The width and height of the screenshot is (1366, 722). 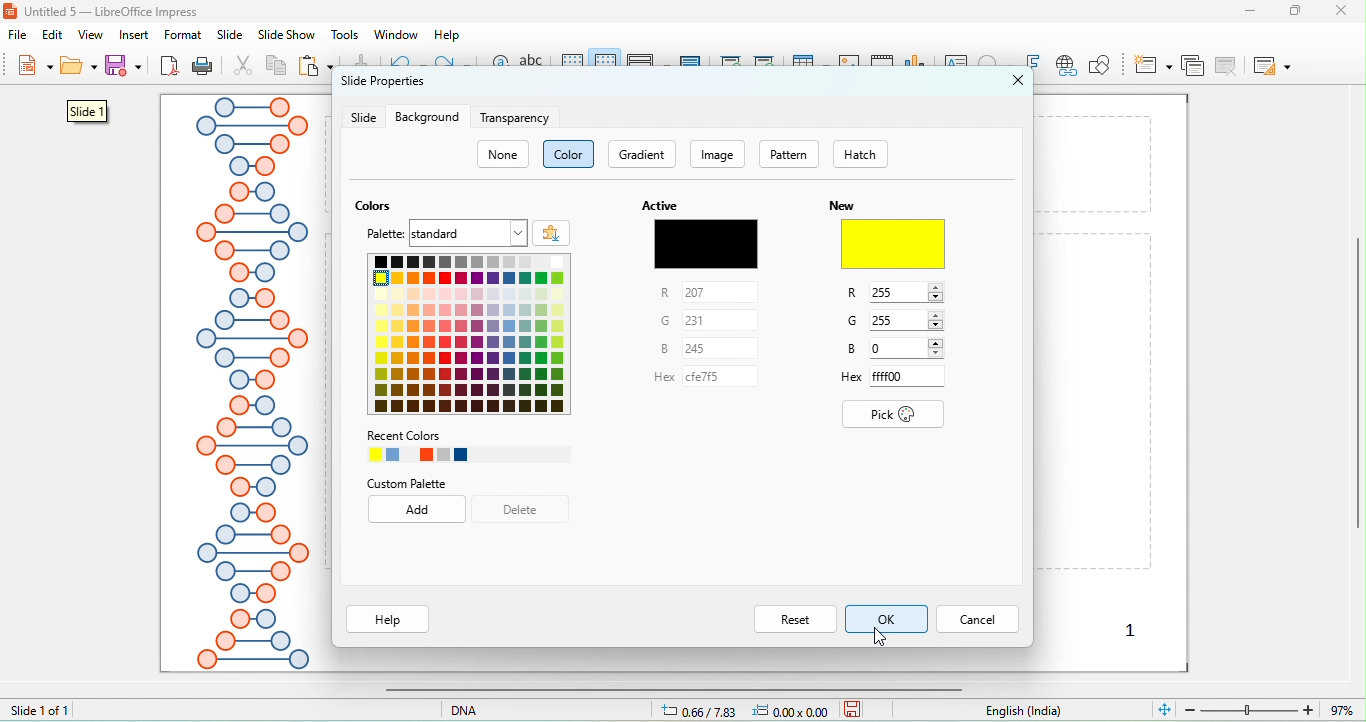 What do you see at coordinates (1034, 63) in the screenshot?
I see `fontwork text` at bounding box center [1034, 63].